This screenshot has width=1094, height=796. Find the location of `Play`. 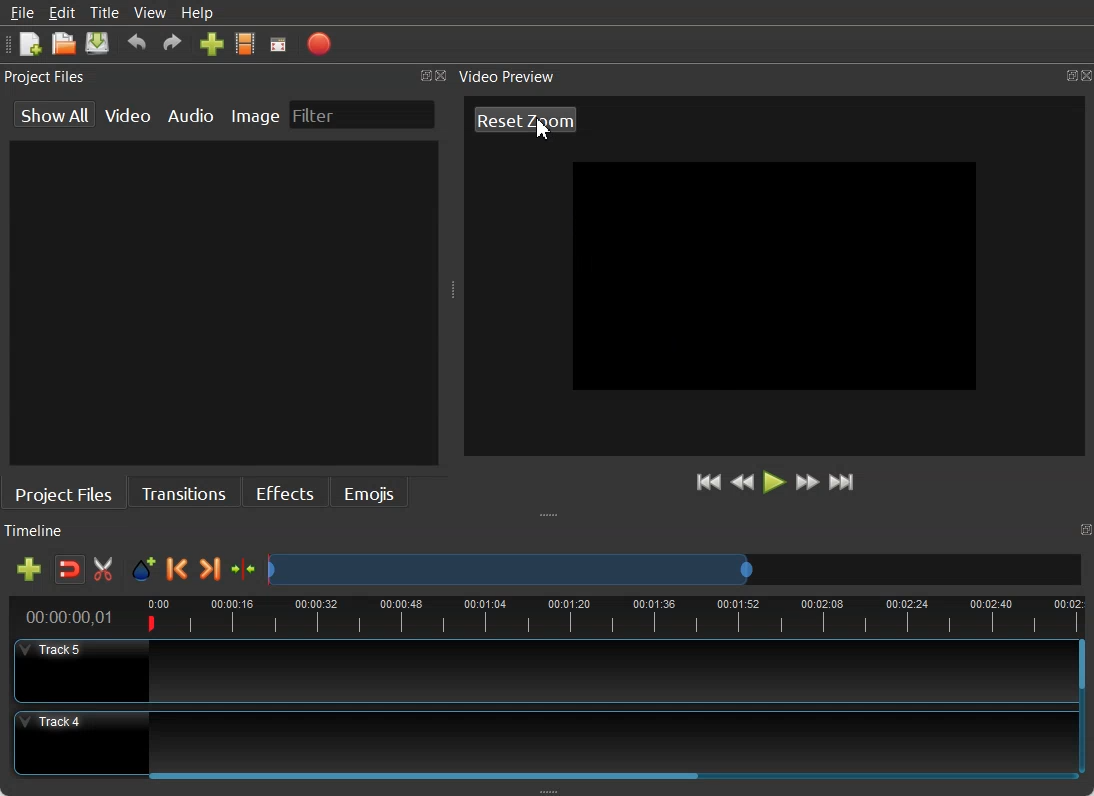

Play is located at coordinates (774, 481).